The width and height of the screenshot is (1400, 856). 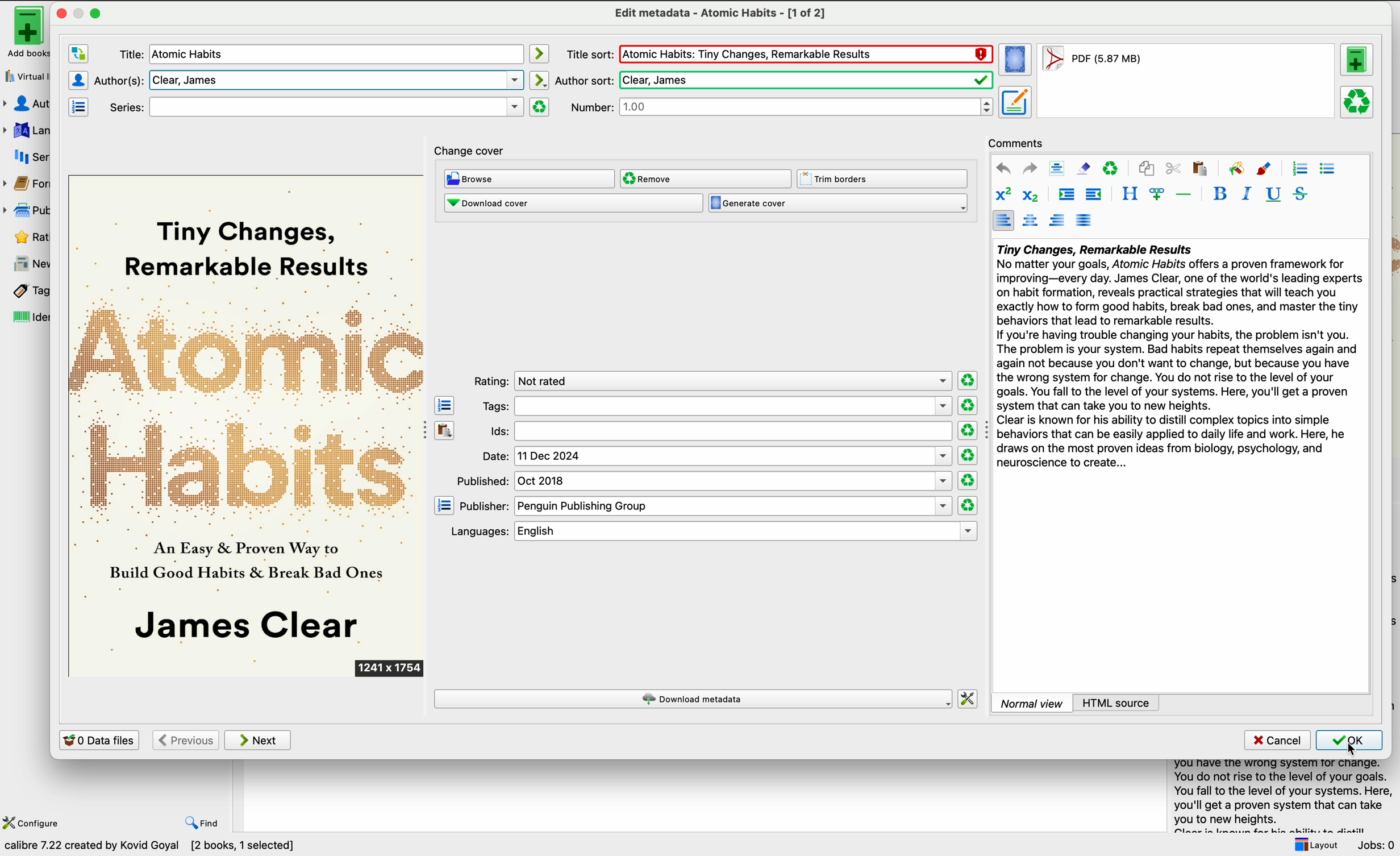 What do you see at coordinates (1016, 61) in the screenshot?
I see `set the cover for the book from the selected format` at bounding box center [1016, 61].